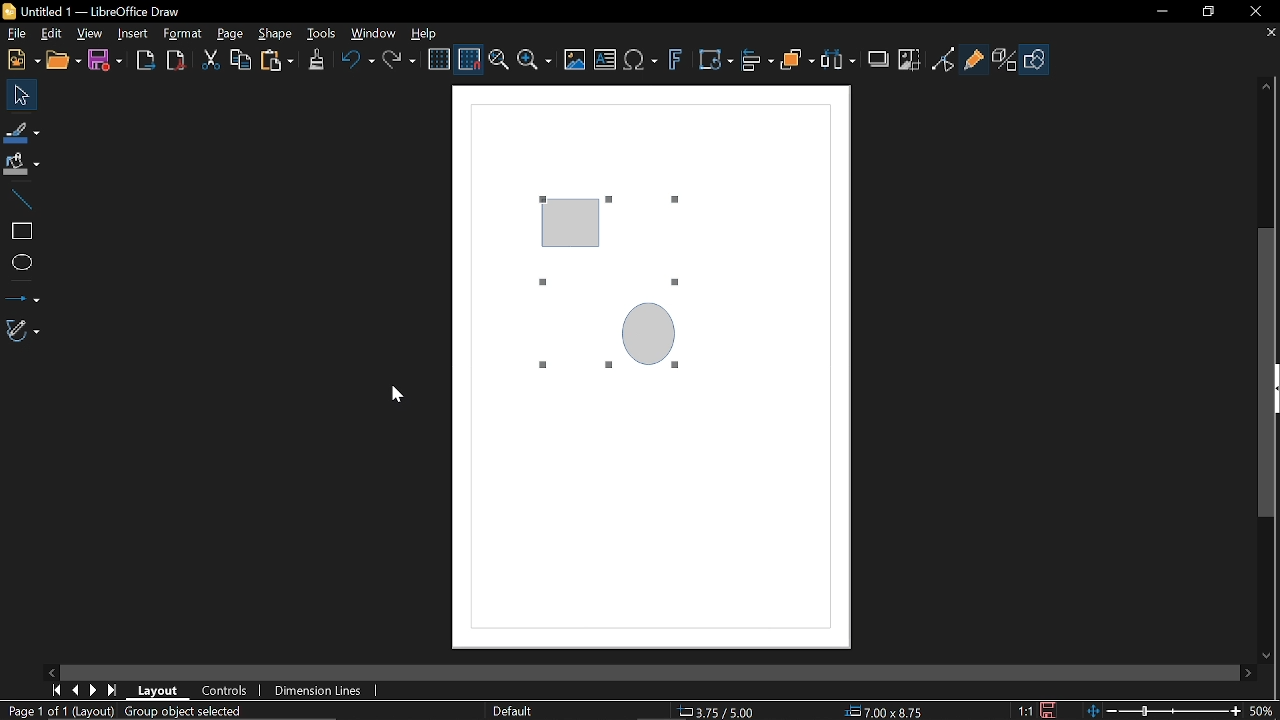  I want to click on Layout, so click(157, 690).